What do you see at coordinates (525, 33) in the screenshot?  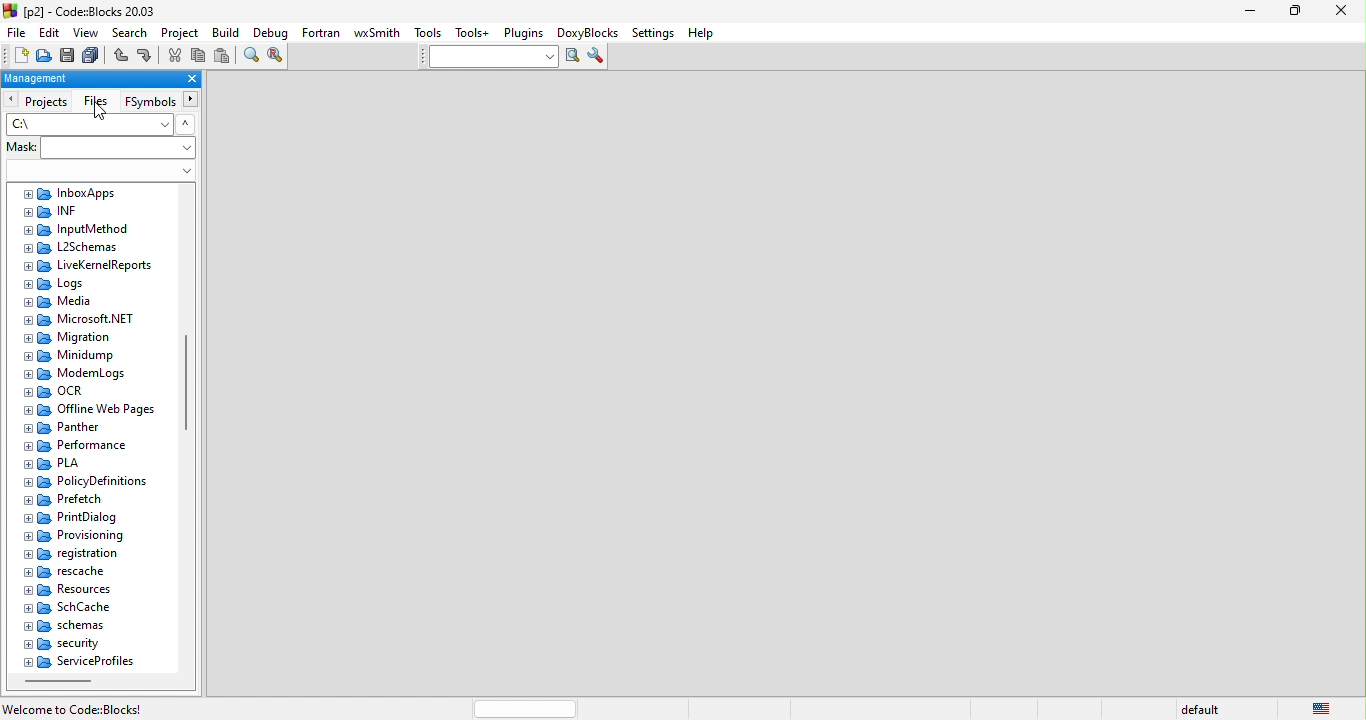 I see `plugins` at bounding box center [525, 33].